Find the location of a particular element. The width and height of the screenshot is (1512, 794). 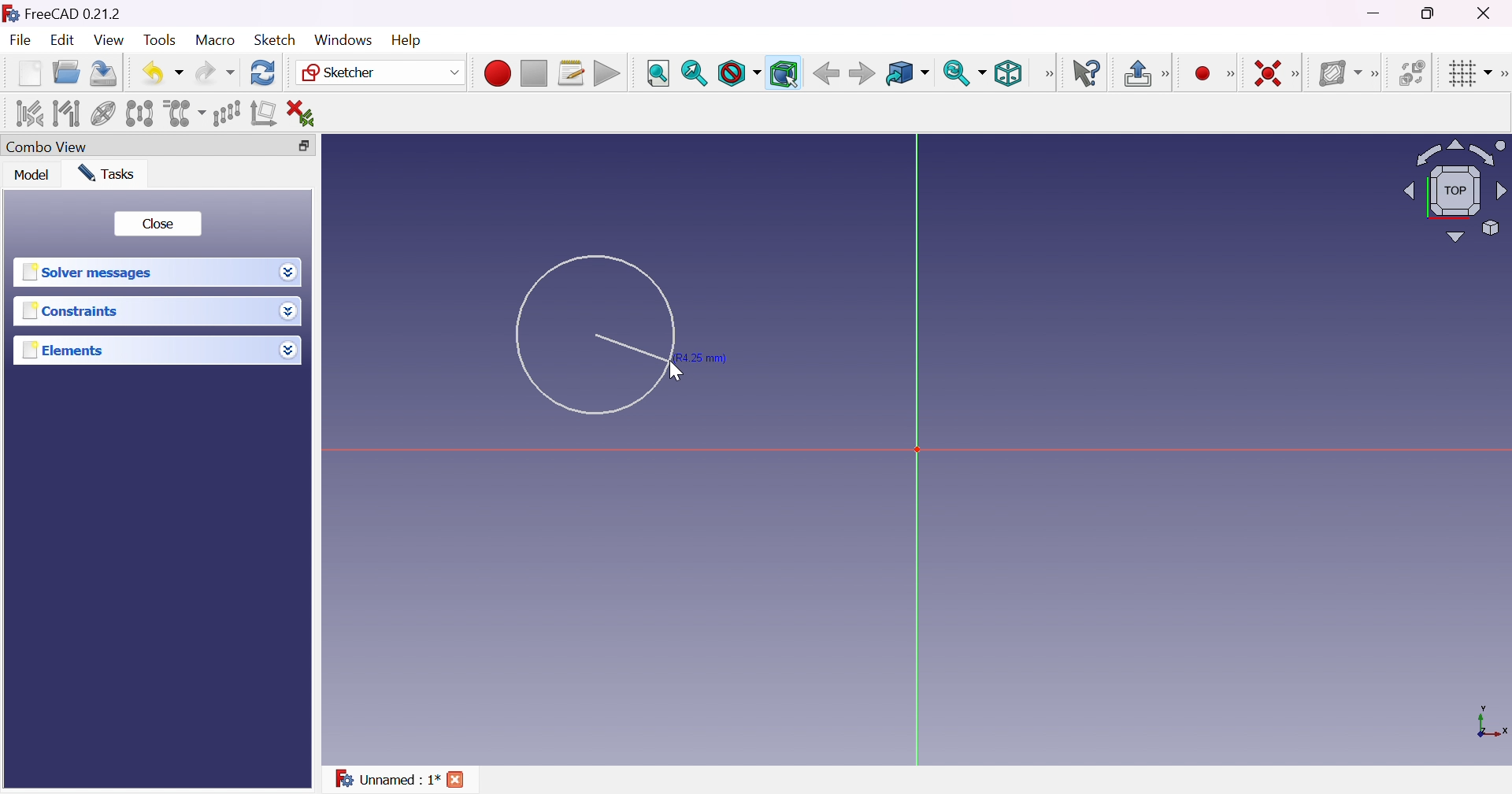

Windows is located at coordinates (343, 39).